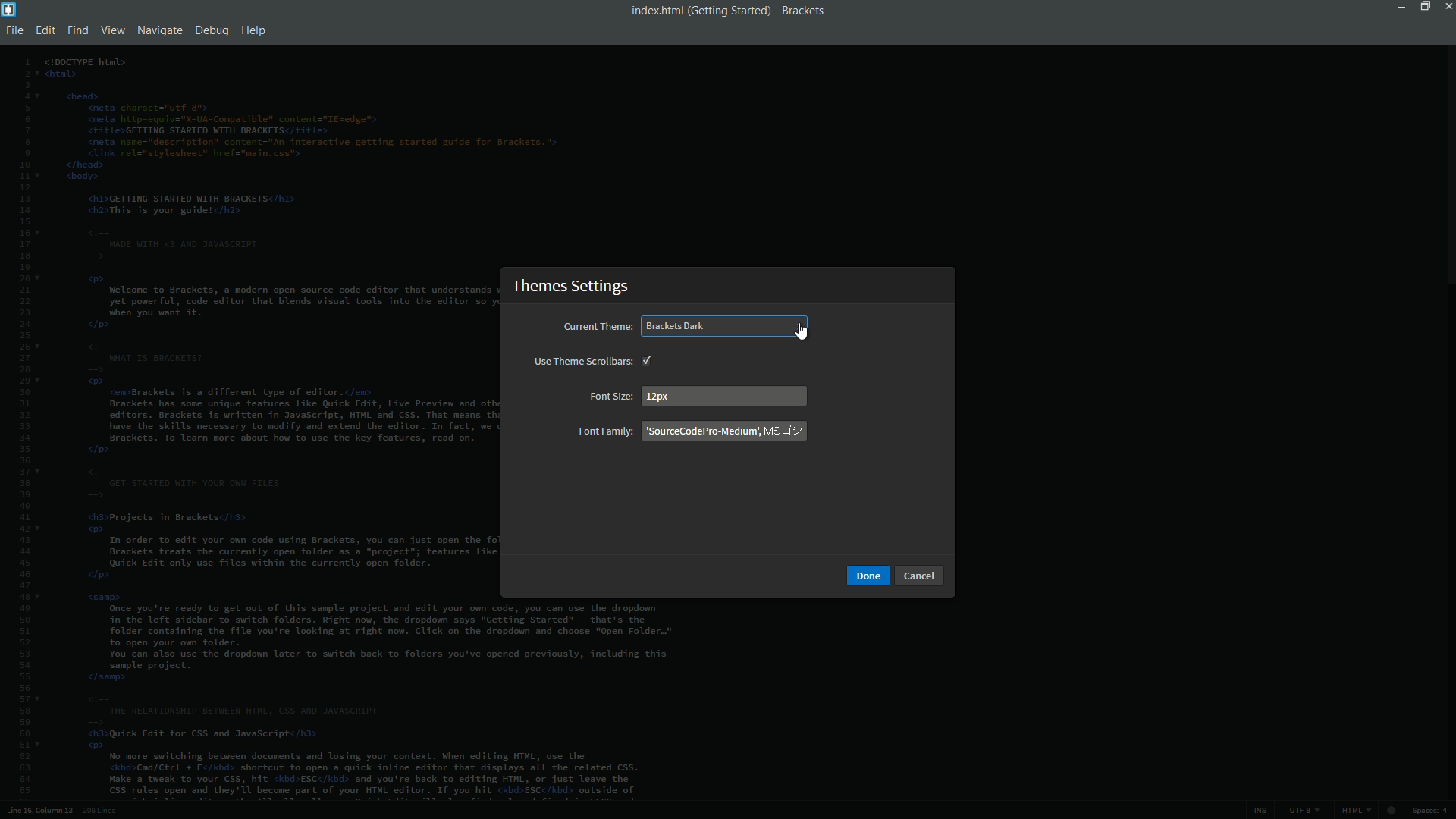 This screenshot has height=819, width=1456. Describe the element at coordinates (1447, 168) in the screenshot. I see `scroll bar` at that location.